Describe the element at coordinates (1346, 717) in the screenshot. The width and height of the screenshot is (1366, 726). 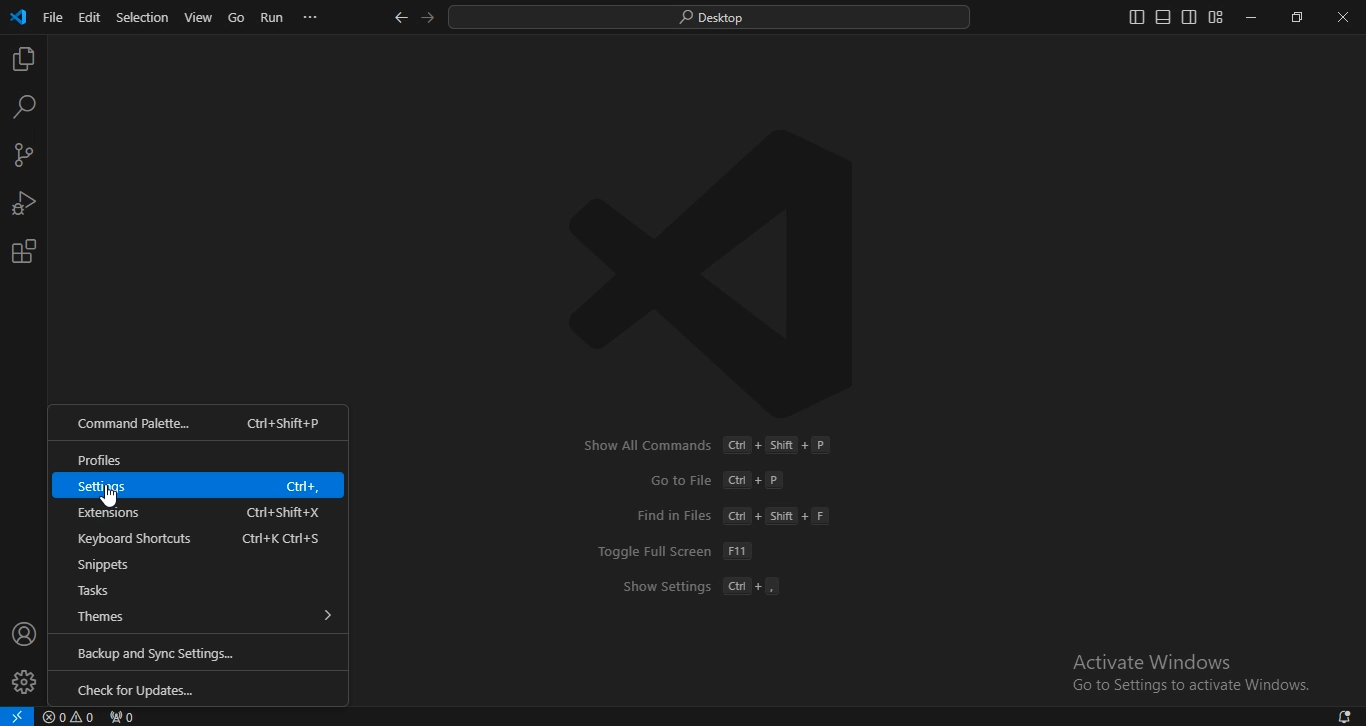
I see `notifications` at that location.